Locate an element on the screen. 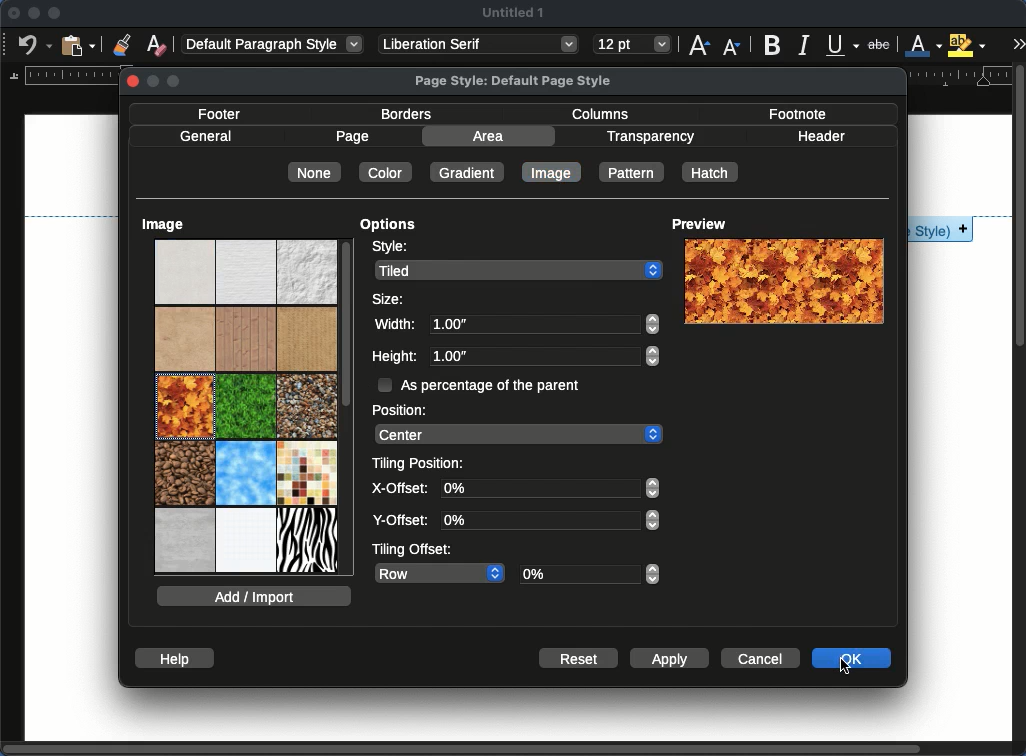  images is located at coordinates (245, 305).